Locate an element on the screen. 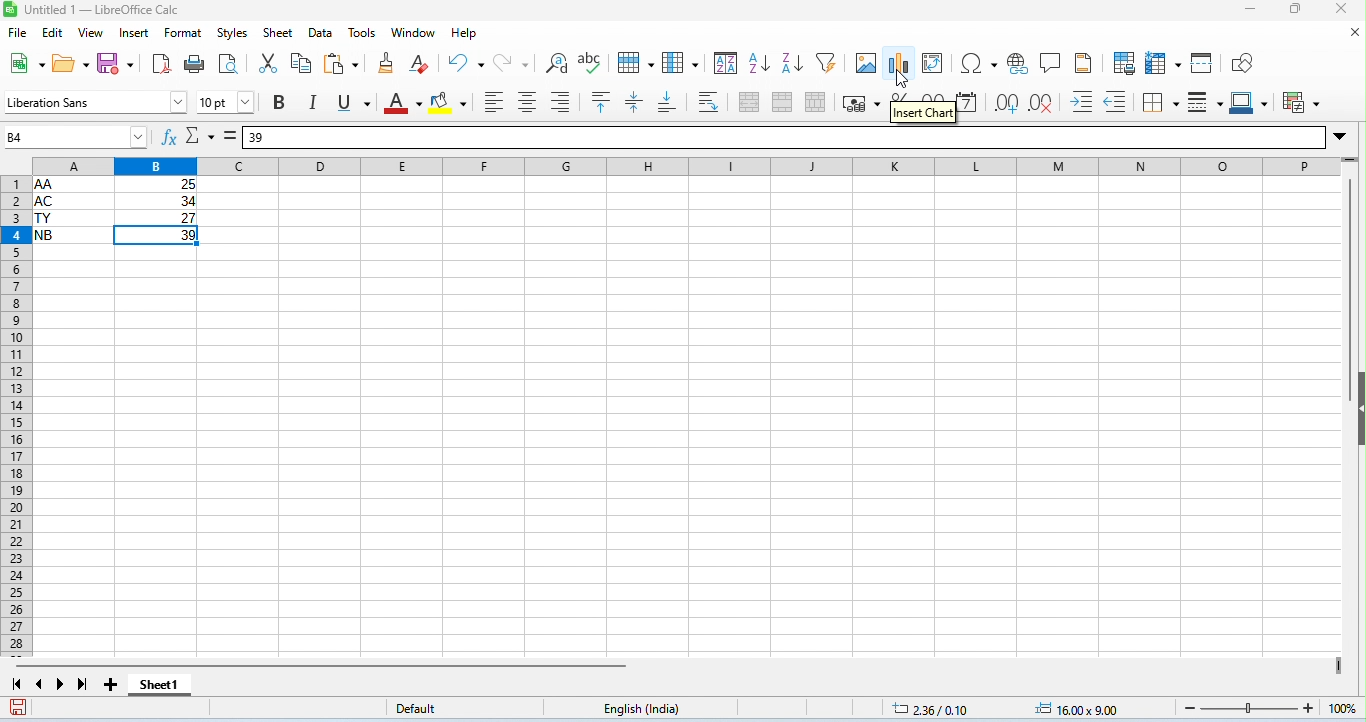 This screenshot has height=722, width=1366. spelling is located at coordinates (593, 63).